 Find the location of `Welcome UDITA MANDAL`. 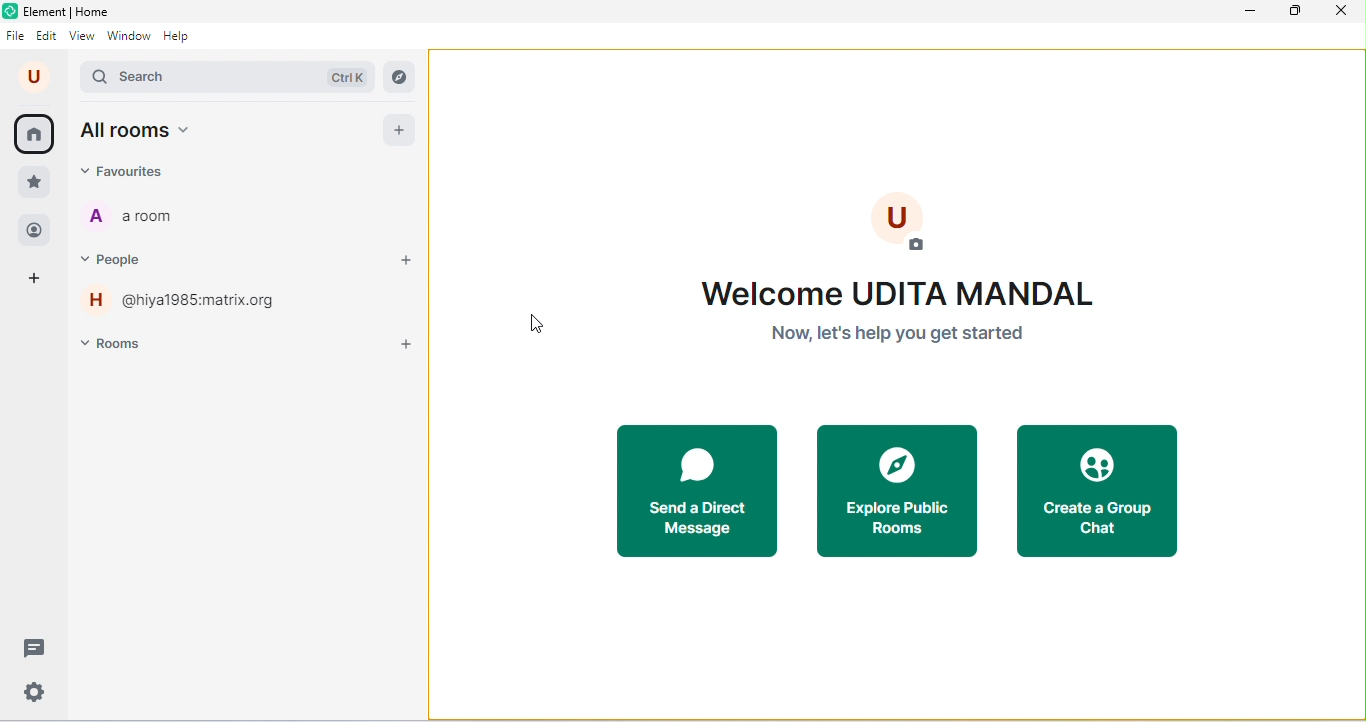

Welcome UDITA MANDAL is located at coordinates (904, 291).